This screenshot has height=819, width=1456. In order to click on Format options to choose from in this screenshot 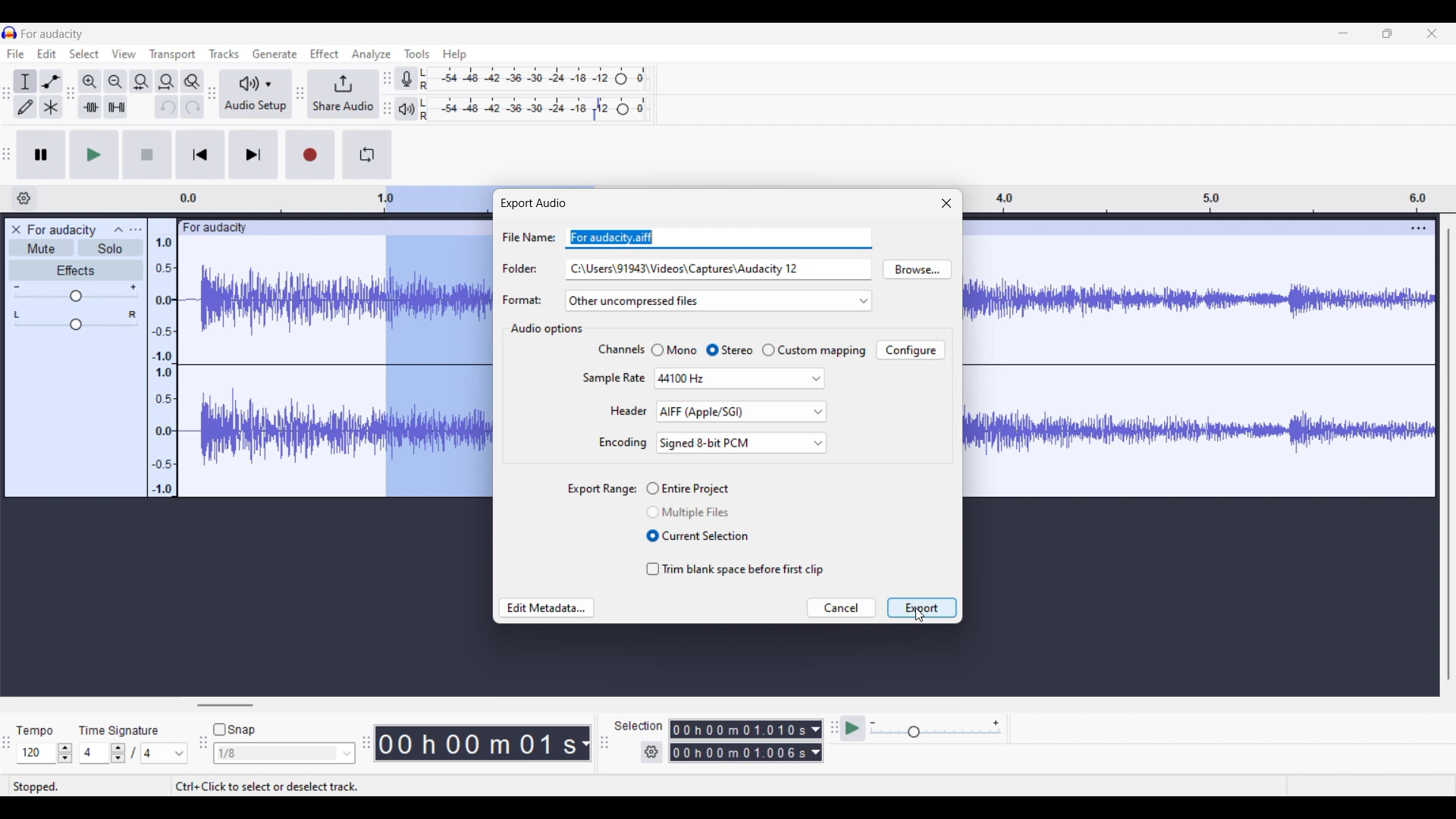, I will do `click(718, 300)`.